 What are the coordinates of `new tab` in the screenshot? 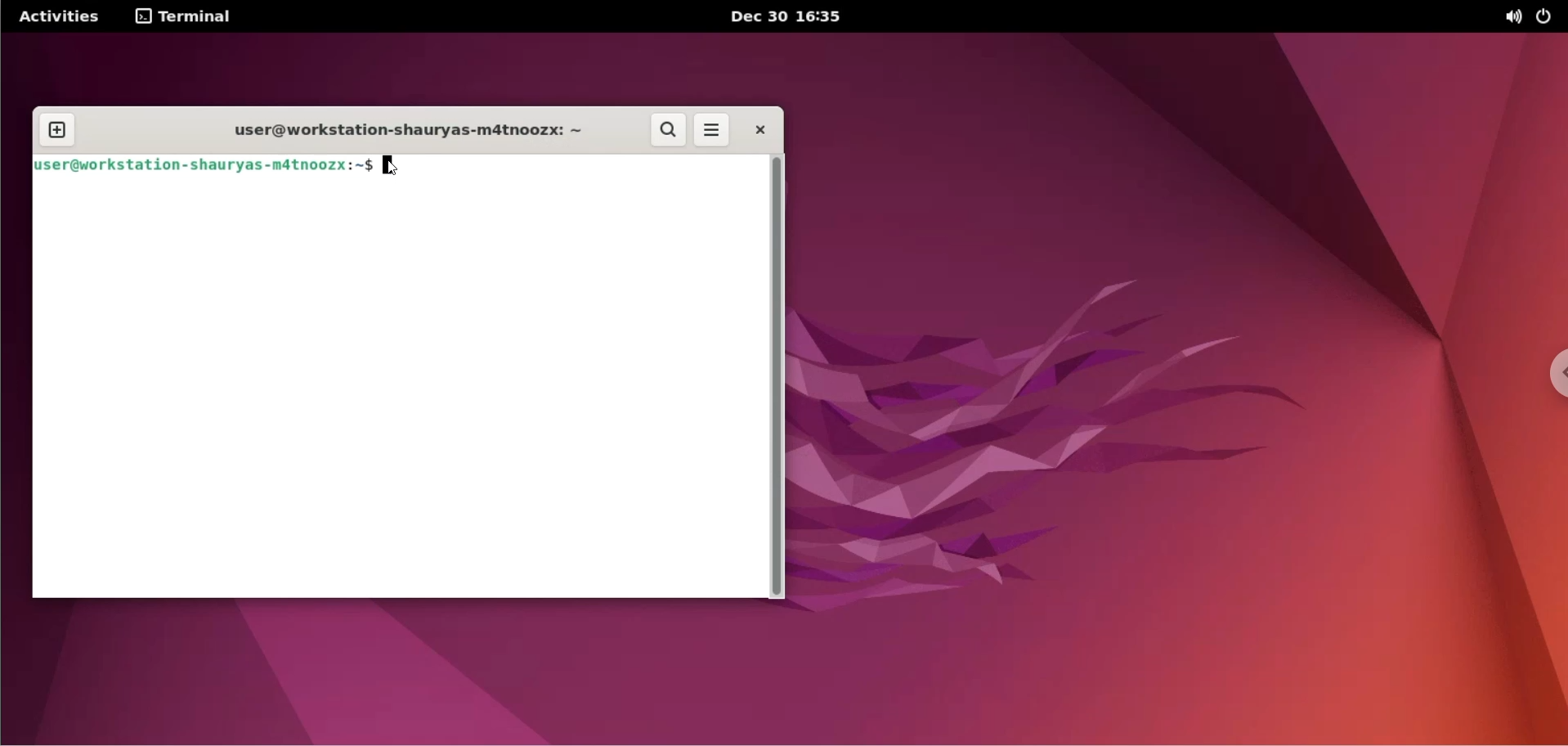 It's located at (56, 131).